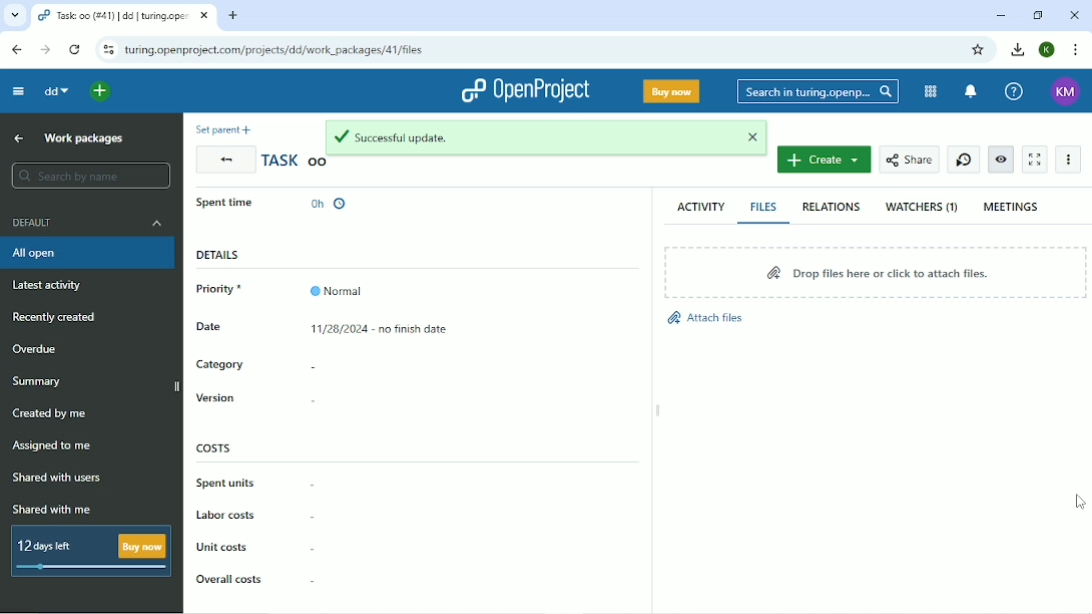 The height and width of the screenshot is (614, 1092). I want to click on Activate zen mode, so click(1034, 160).